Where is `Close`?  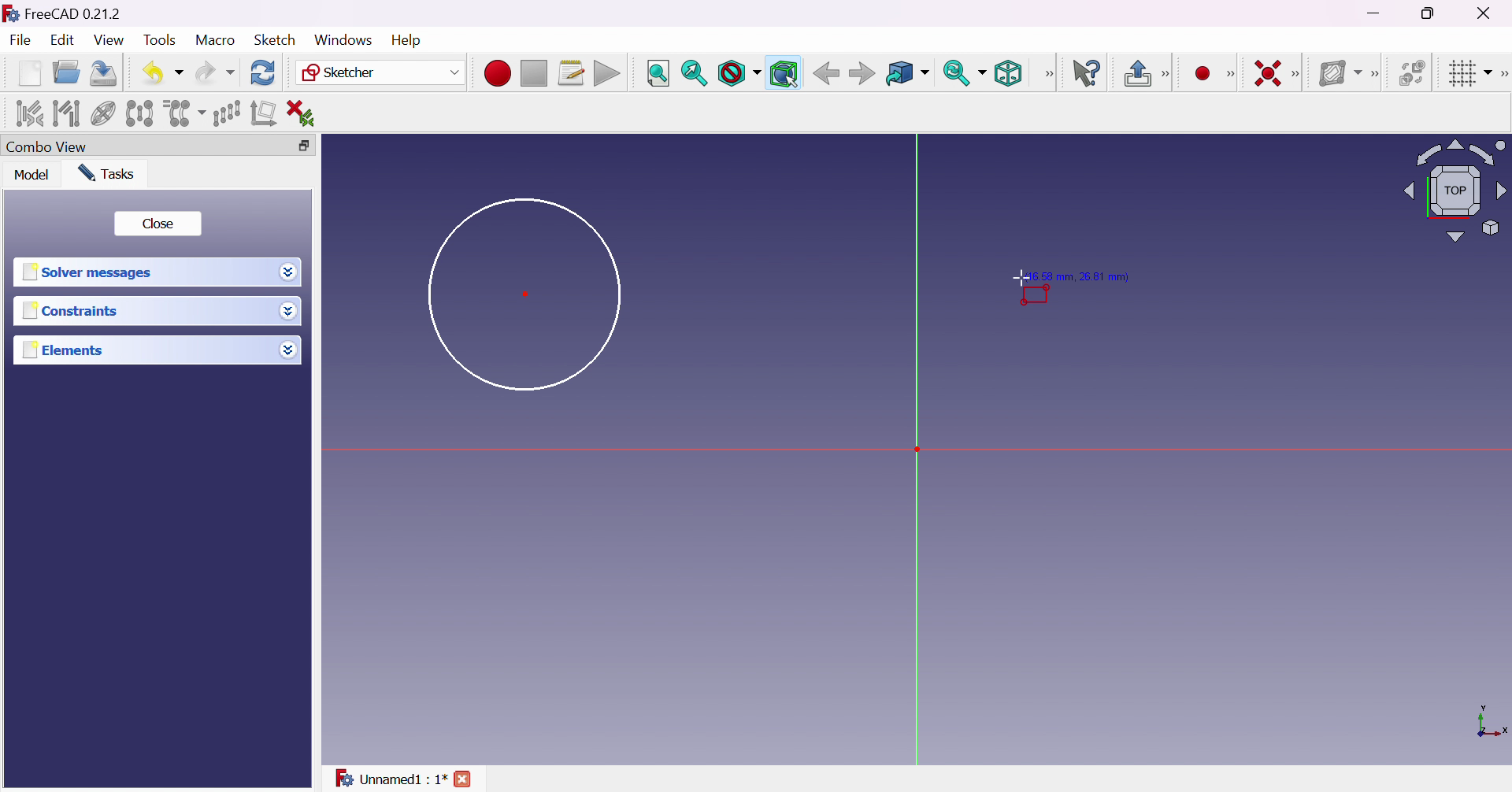
Close is located at coordinates (157, 224).